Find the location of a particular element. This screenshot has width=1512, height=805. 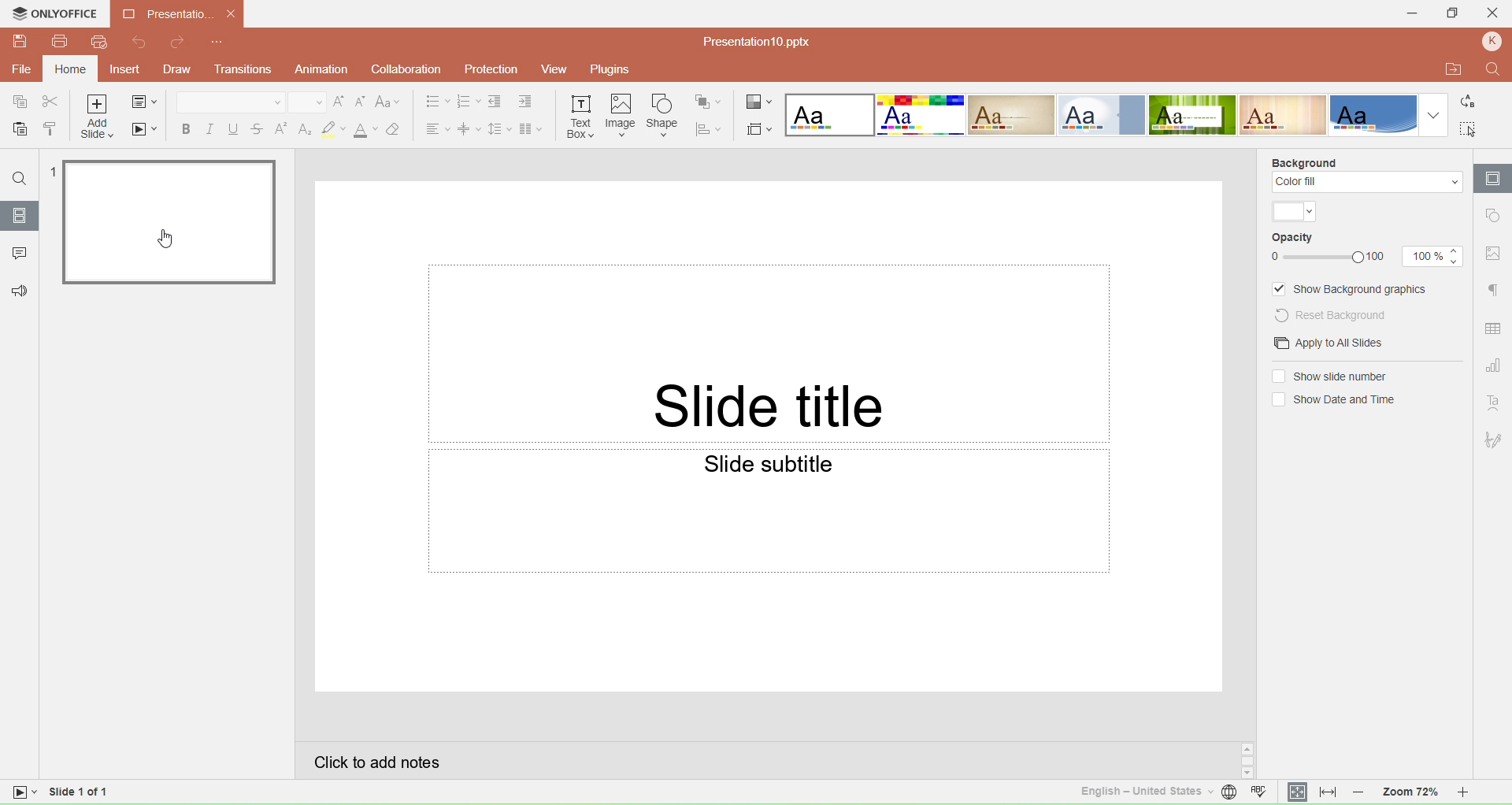

Collaboration is located at coordinates (403, 69).